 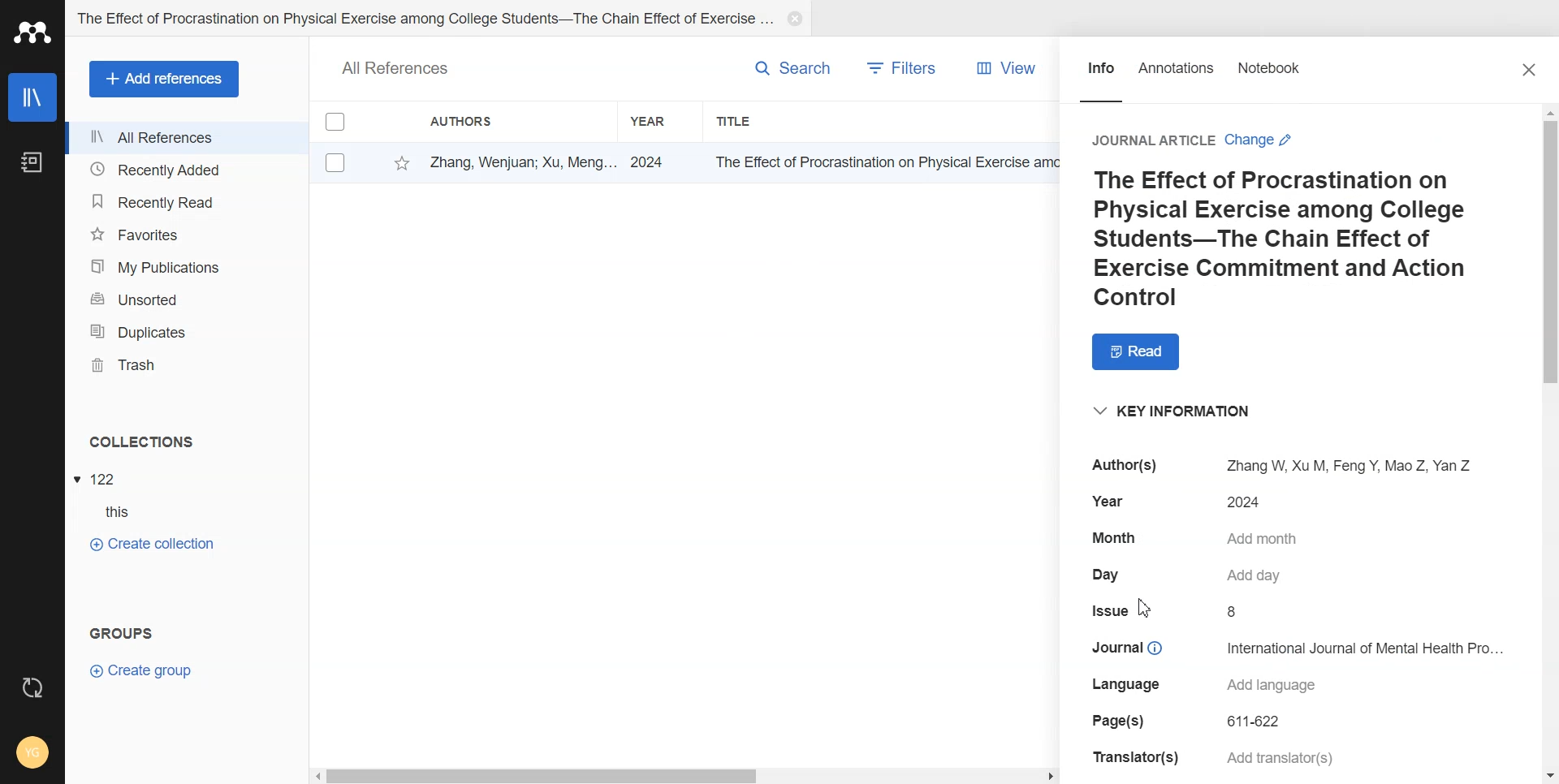 I want to click on Recently Added, so click(x=184, y=170).